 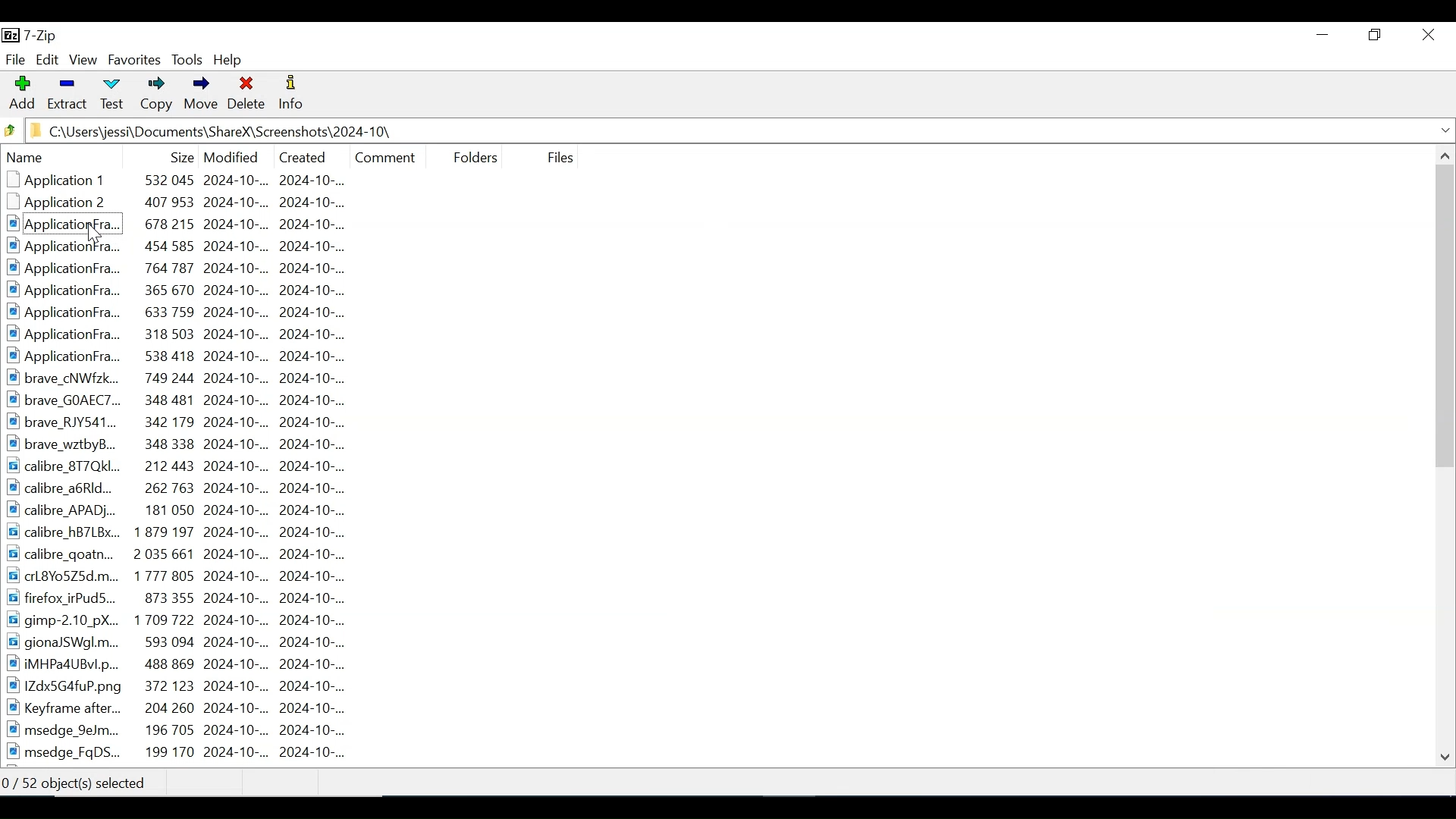 What do you see at coordinates (47, 60) in the screenshot?
I see `Edit` at bounding box center [47, 60].